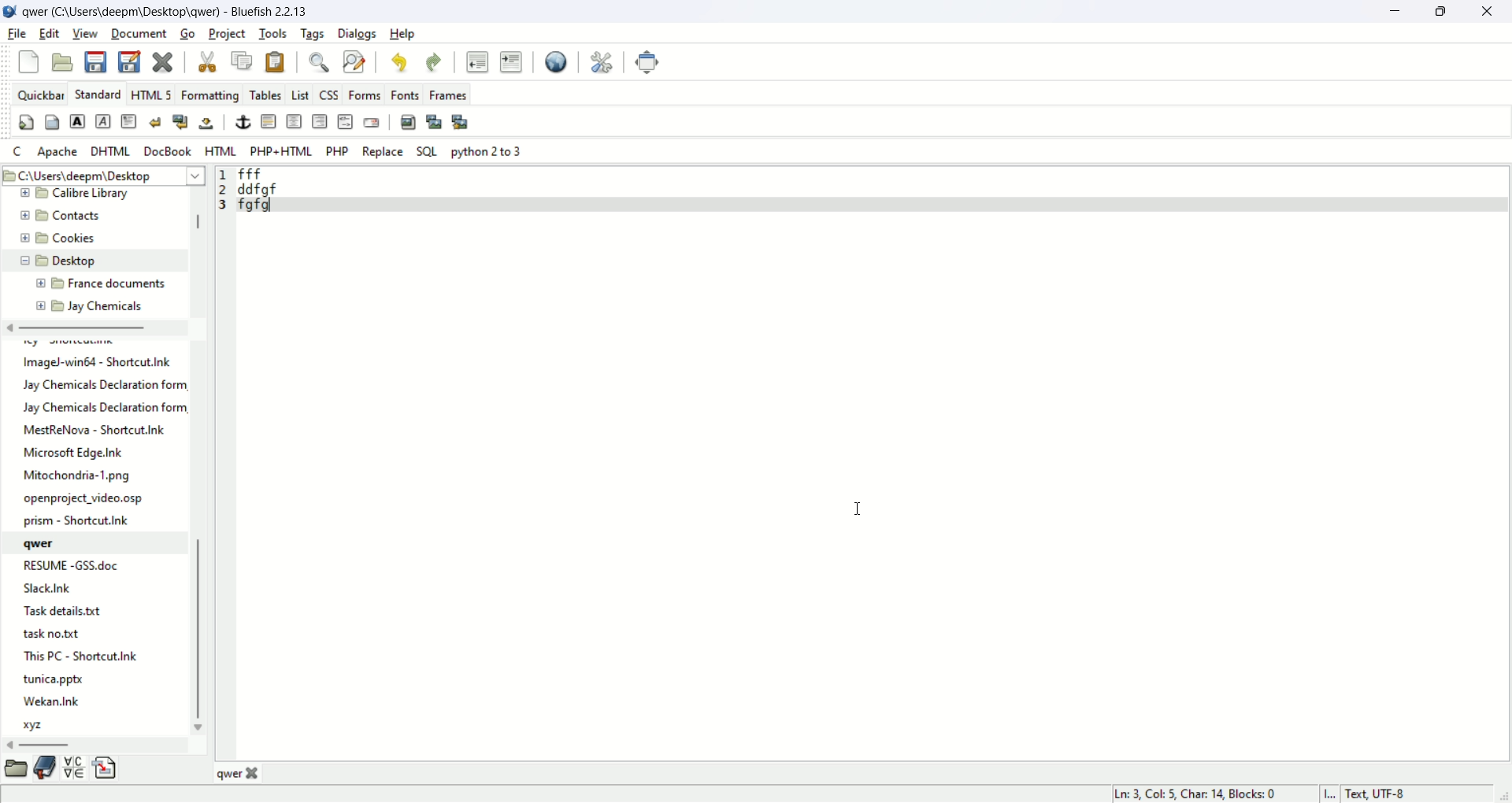 The height and width of the screenshot is (803, 1512). I want to click on prism-Shortcut link, so click(79, 521).